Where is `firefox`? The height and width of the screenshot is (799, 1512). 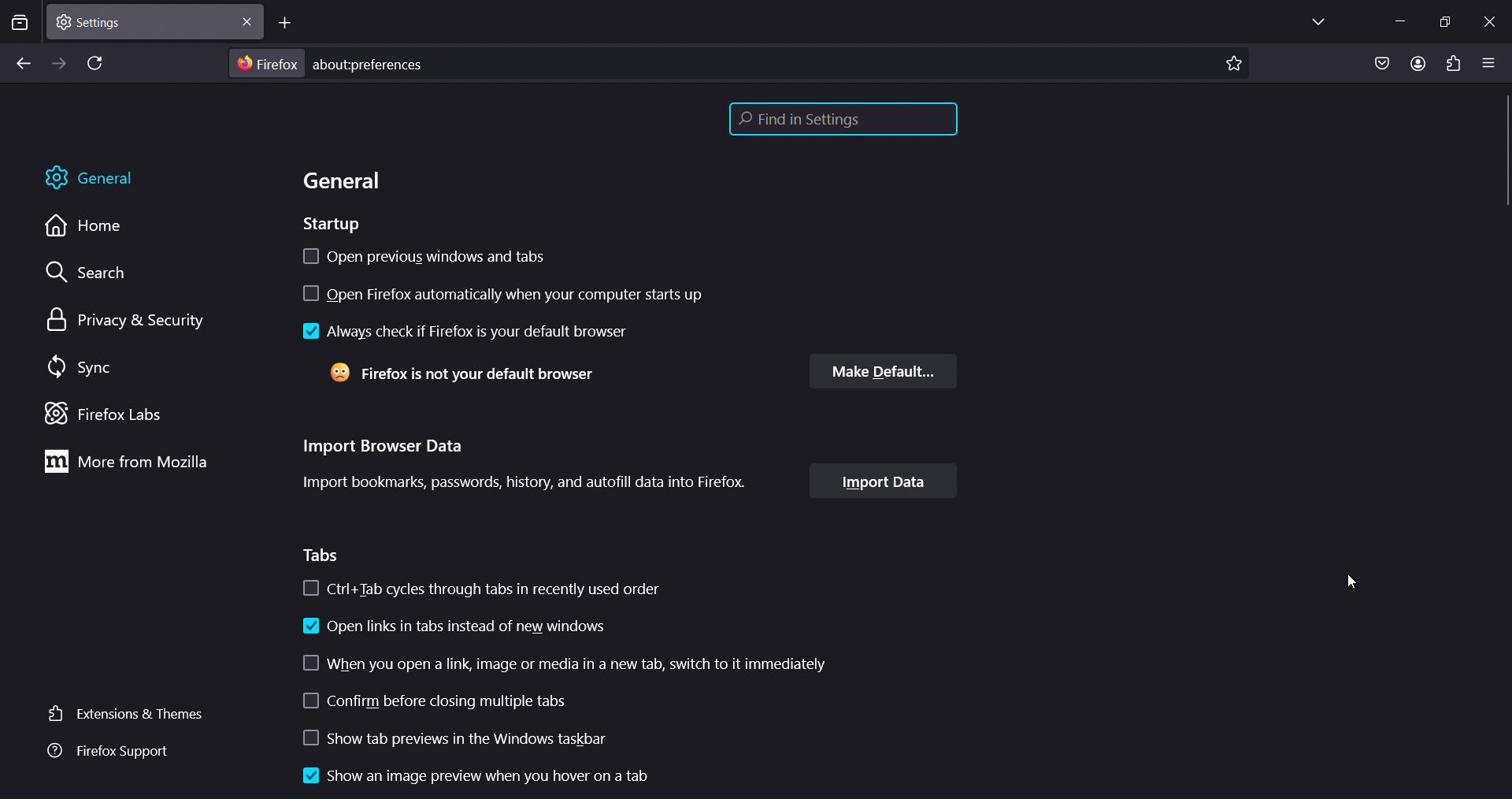 firefox is located at coordinates (266, 65).